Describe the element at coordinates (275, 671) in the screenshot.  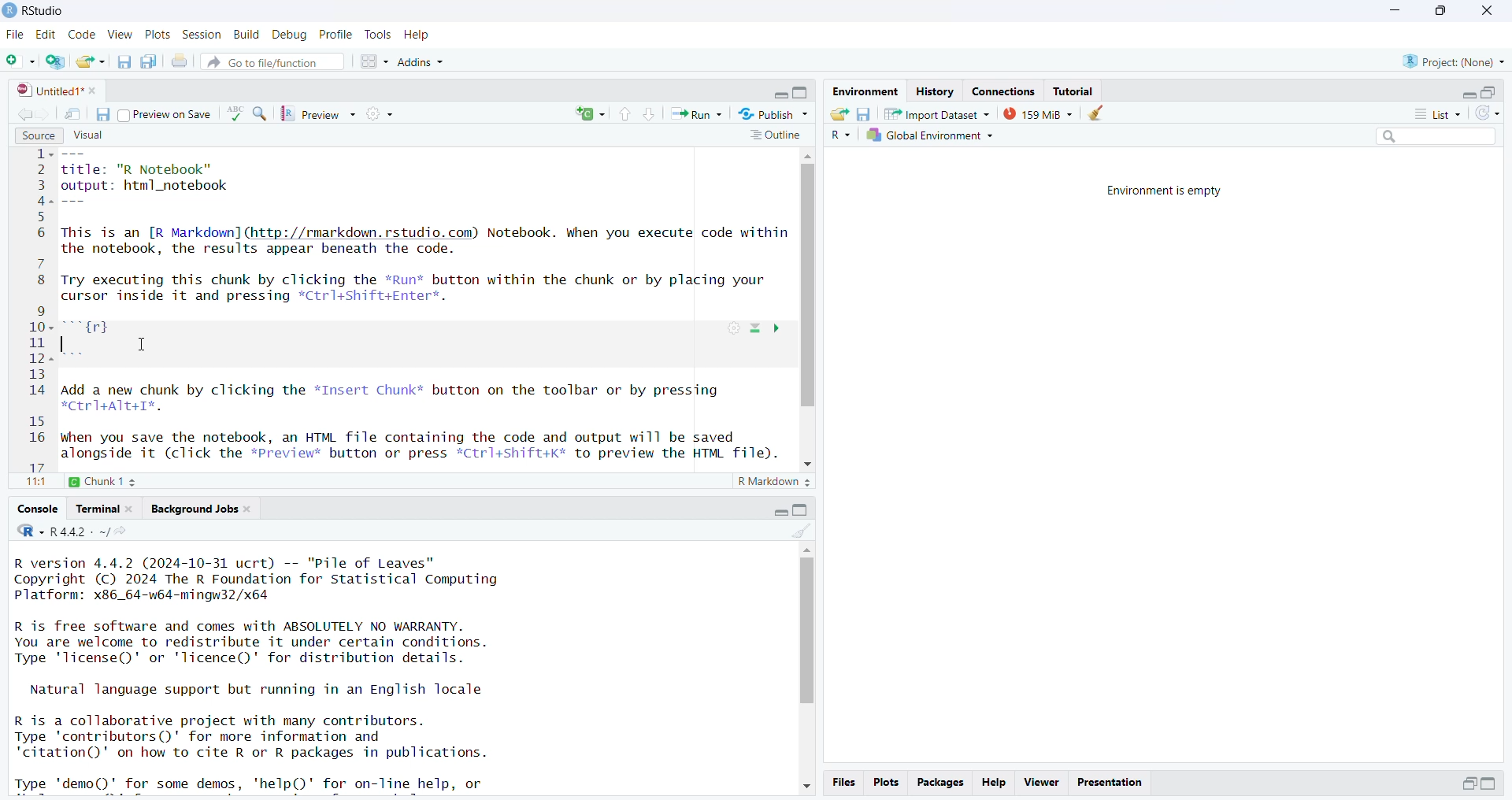
I see `Console log` at that location.